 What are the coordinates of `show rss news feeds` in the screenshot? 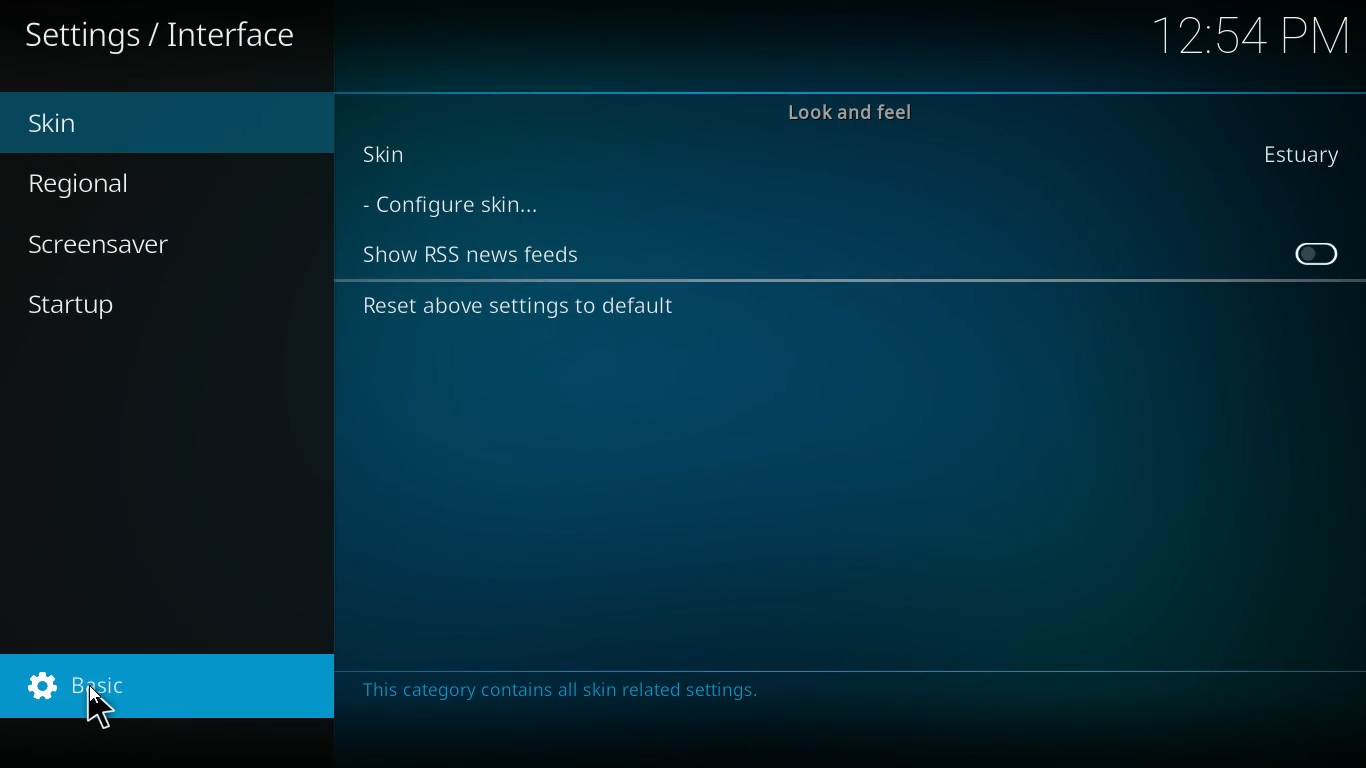 It's located at (476, 253).